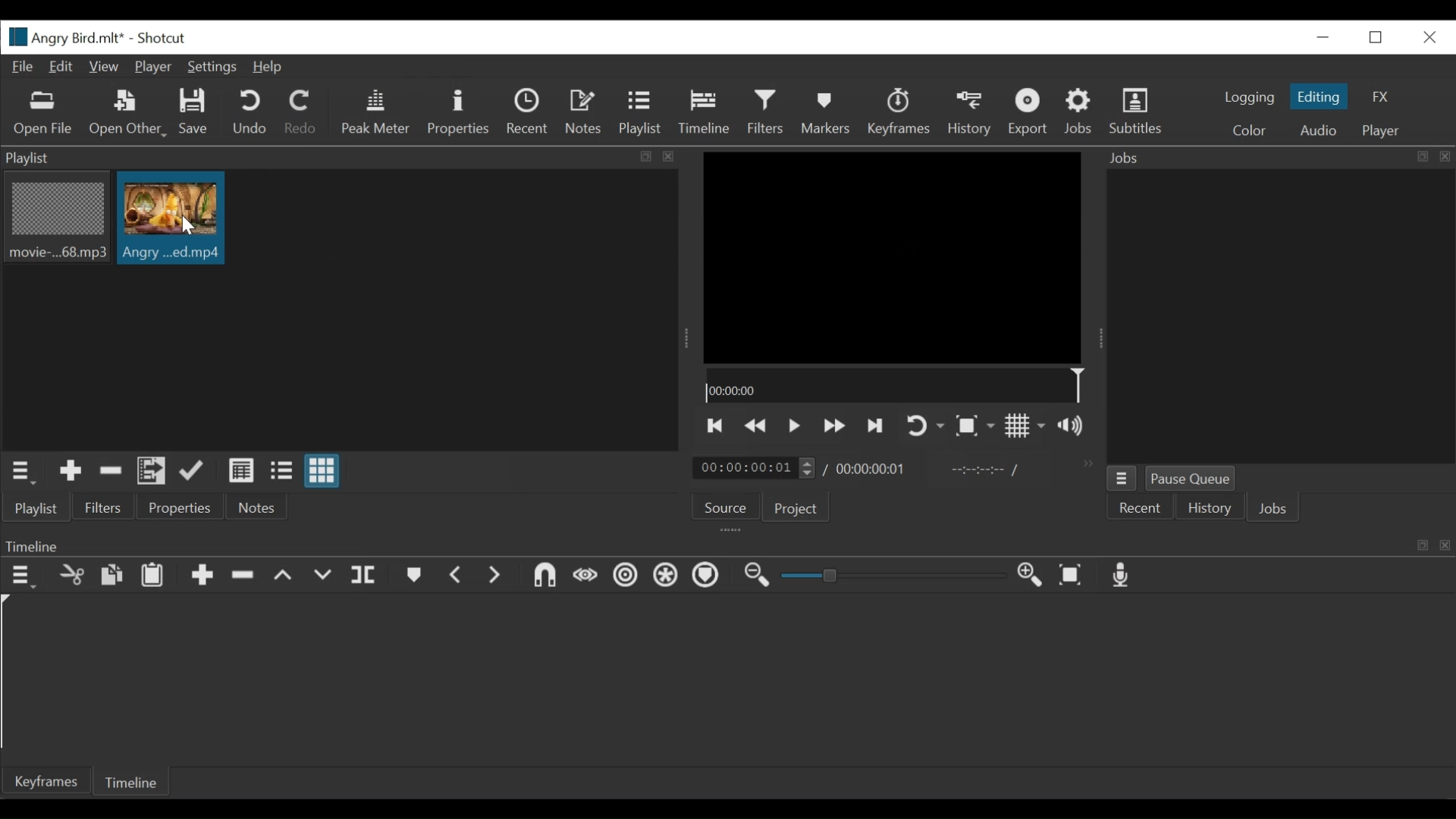 Image resolution: width=1456 pixels, height=819 pixels. Describe the element at coordinates (545, 578) in the screenshot. I see `Snap` at that location.